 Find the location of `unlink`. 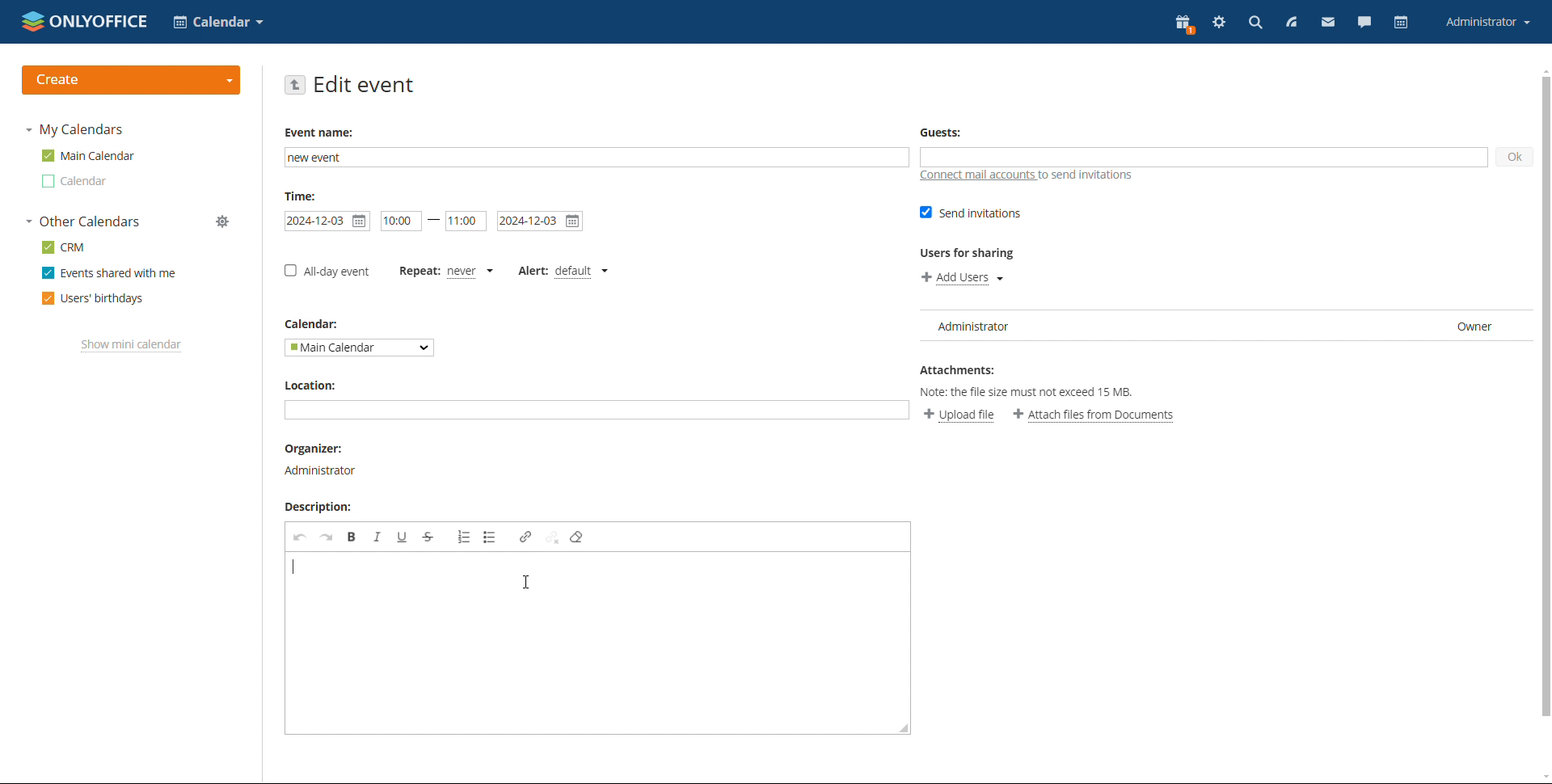

unlink is located at coordinates (553, 537).